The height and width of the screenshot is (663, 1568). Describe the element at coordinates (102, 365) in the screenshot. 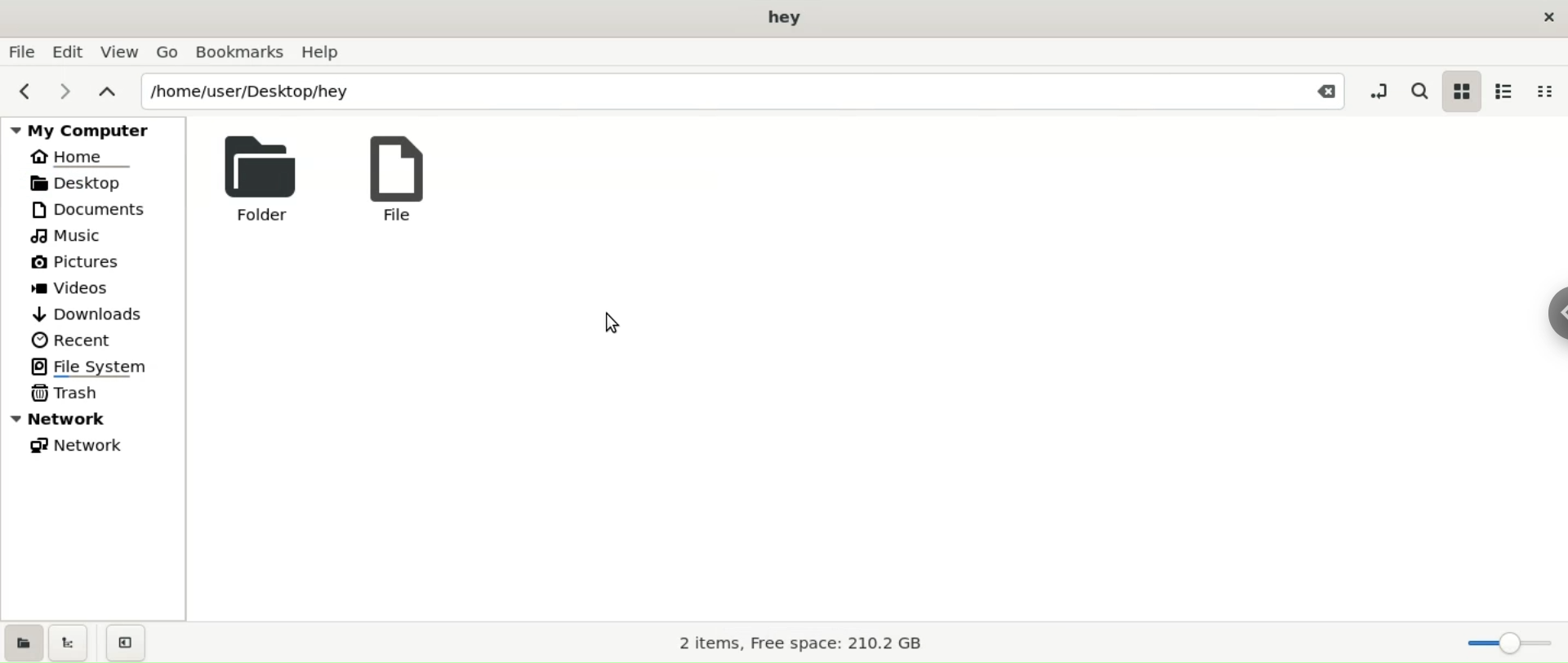

I see `file system` at that location.